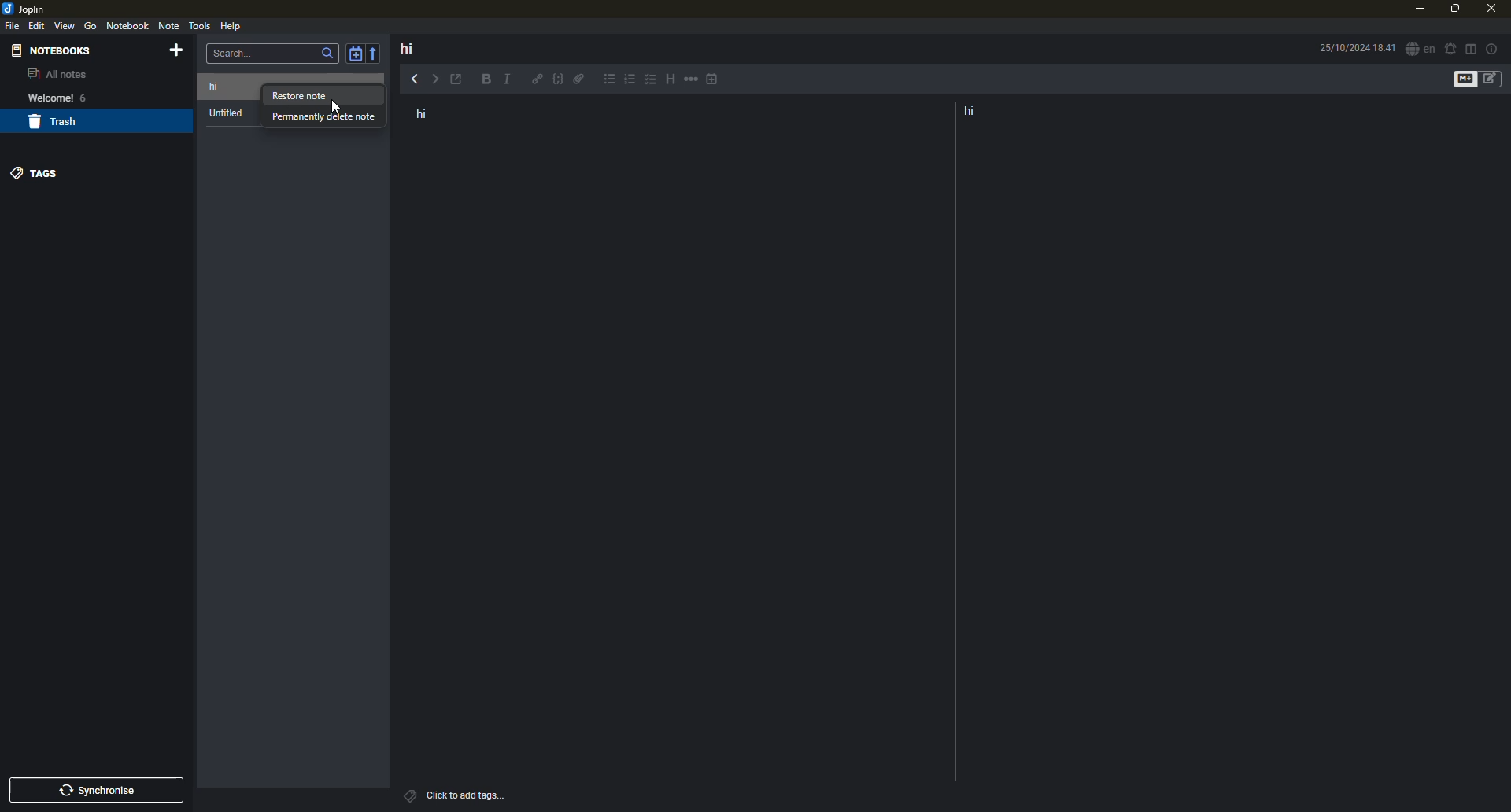  I want to click on view, so click(65, 25).